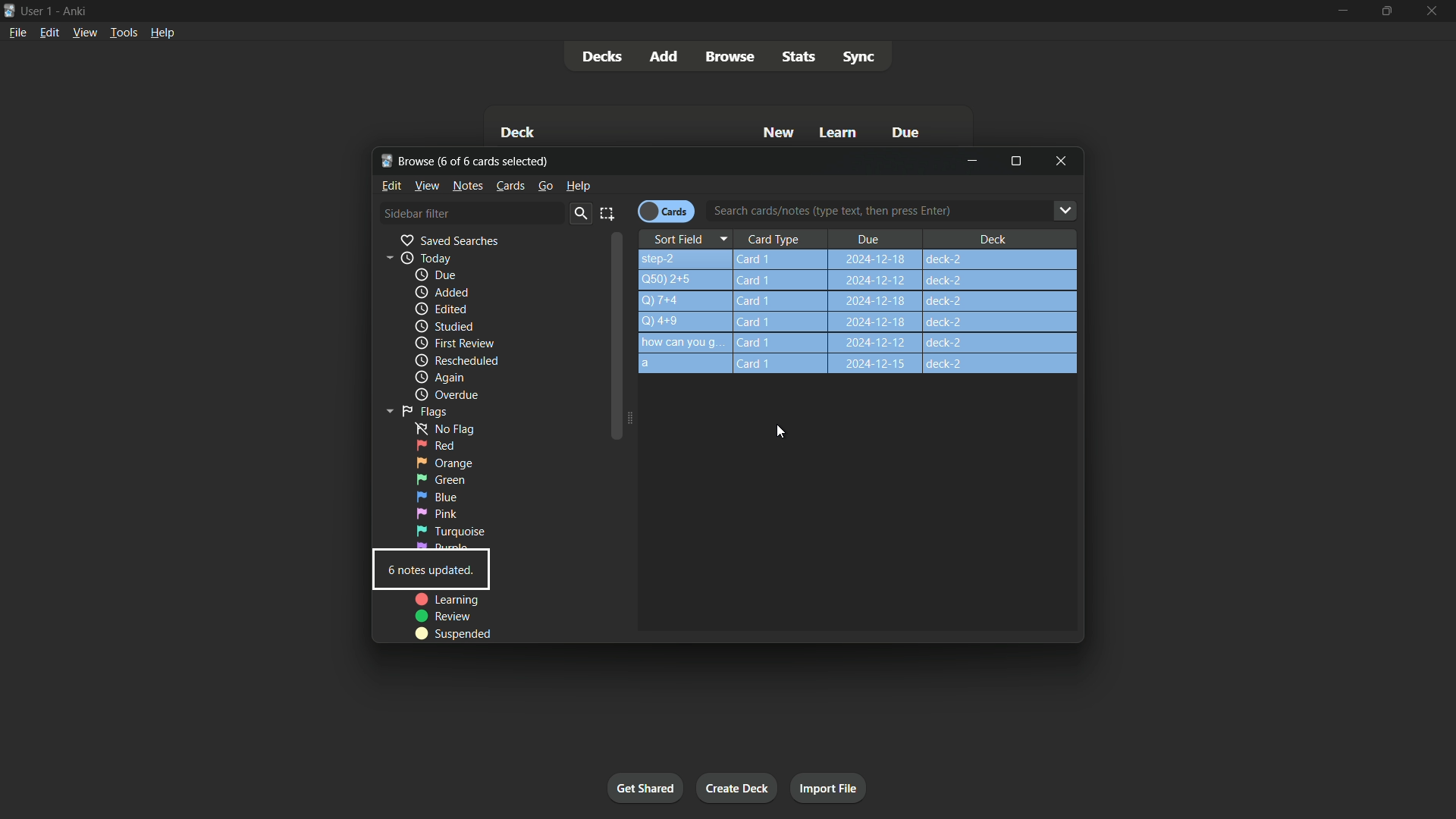 The width and height of the screenshot is (1456, 819). I want to click on File menu, so click(16, 35).